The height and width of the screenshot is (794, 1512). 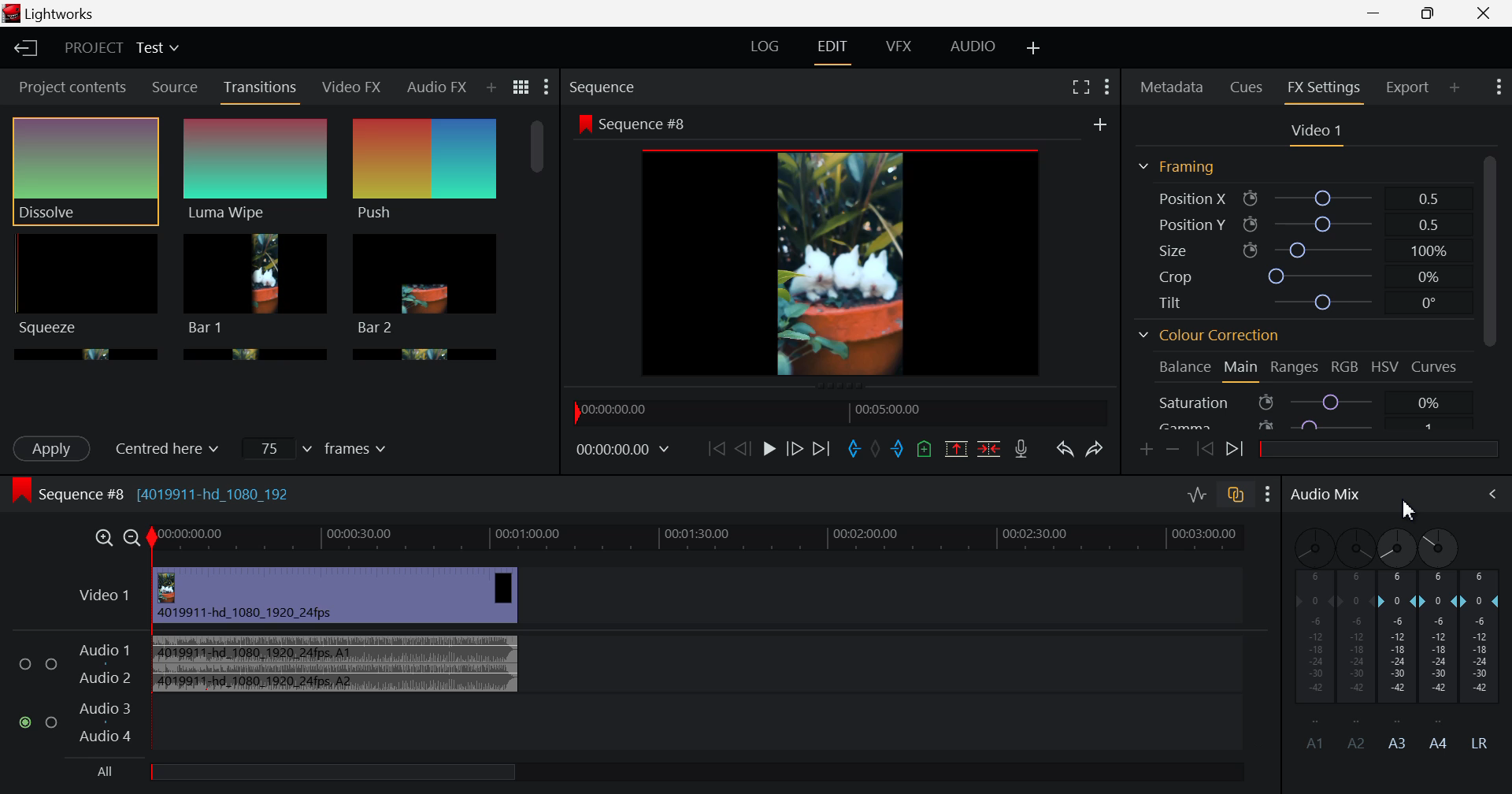 I want to click on Sequence #8 (4019911-hd_1080_192), so click(x=156, y=493).